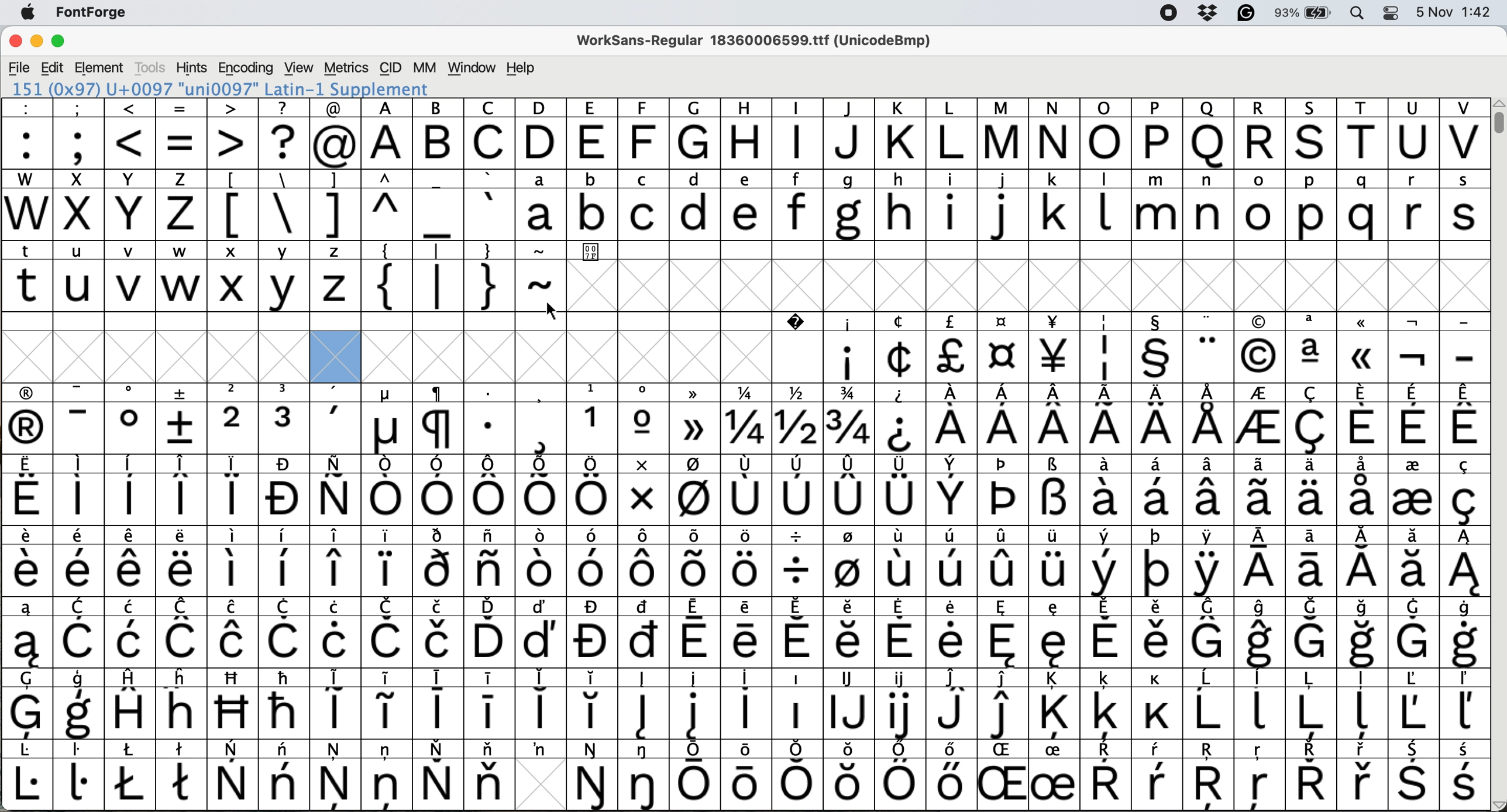 The width and height of the screenshot is (1507, 812). What do you see at coordinates (346, 68) in the screenshot?
I see `metrics` at bounding box center [346, 68].